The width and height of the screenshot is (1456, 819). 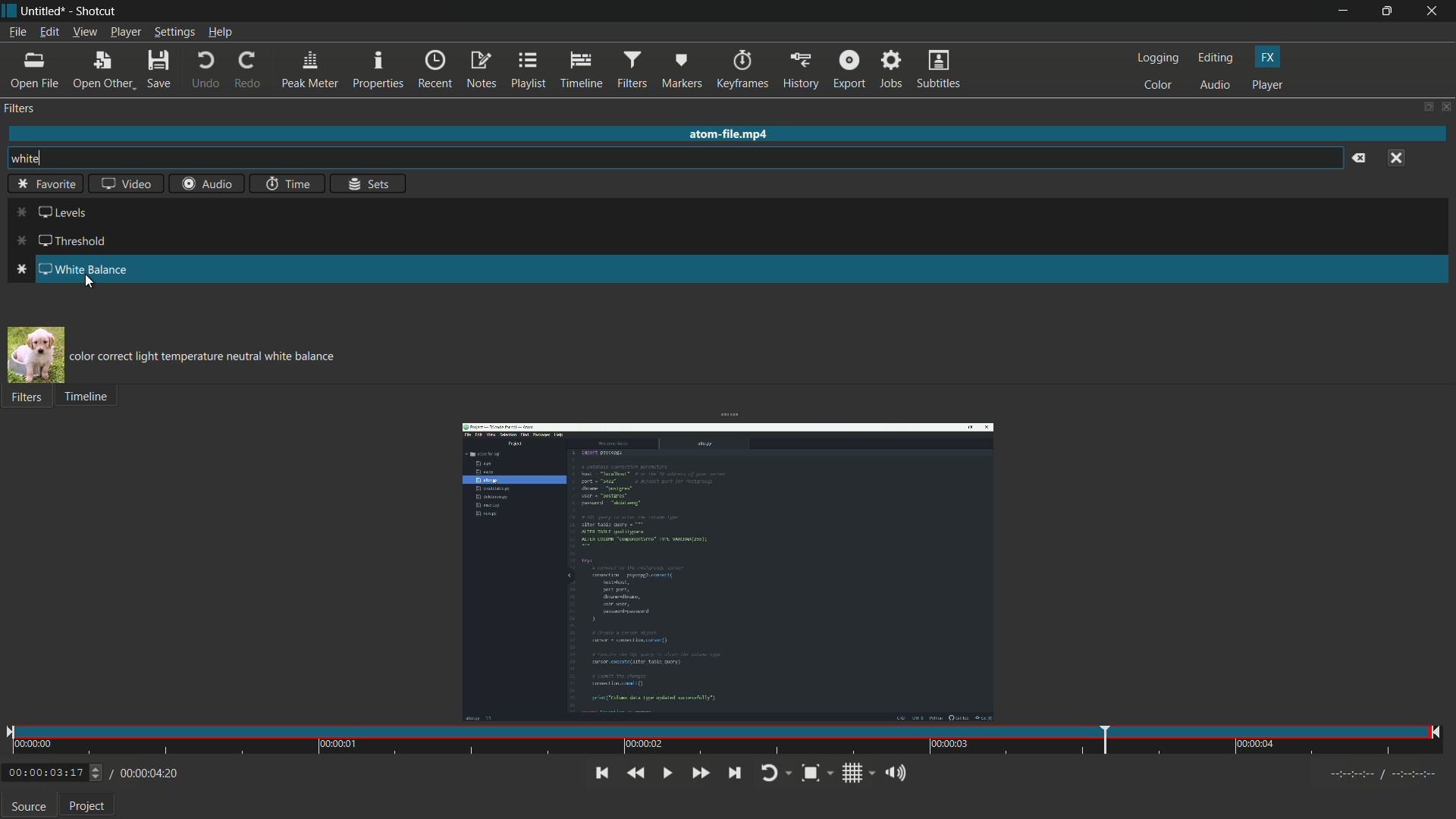 What do you see at coordinates (893, 68) in the screenshot?
I see `jobs` at bounding box center [893, 68].